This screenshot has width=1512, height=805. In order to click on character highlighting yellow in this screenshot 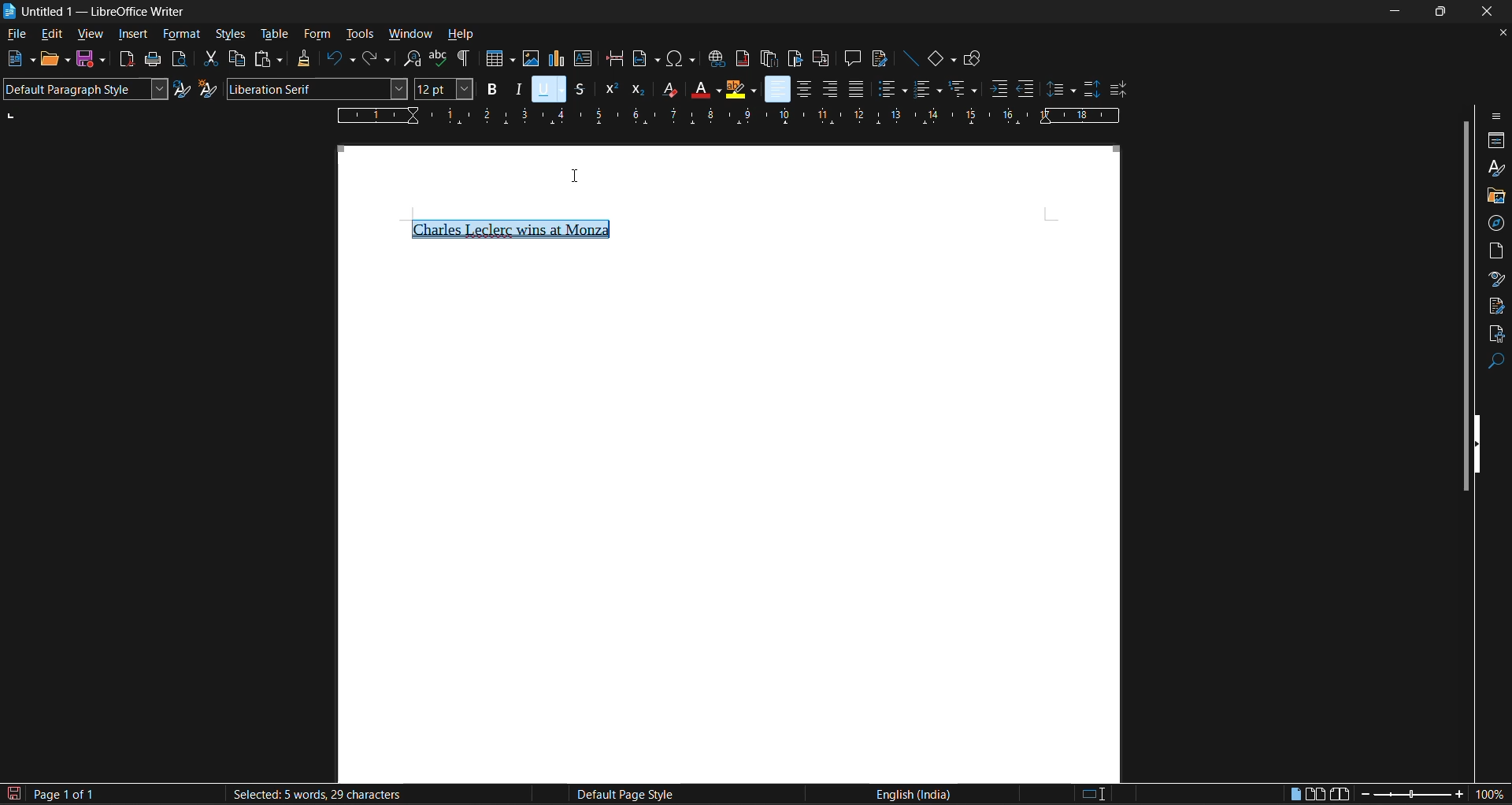, I will do `click(741, 90)`.